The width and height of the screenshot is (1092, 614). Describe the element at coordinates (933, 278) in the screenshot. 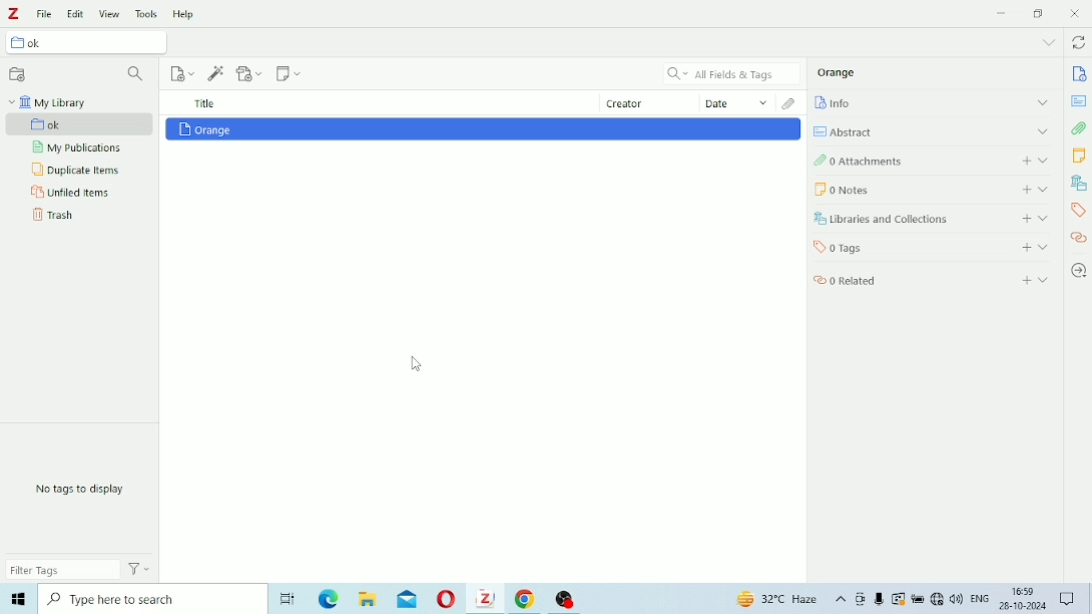

I see `Related` at that location.